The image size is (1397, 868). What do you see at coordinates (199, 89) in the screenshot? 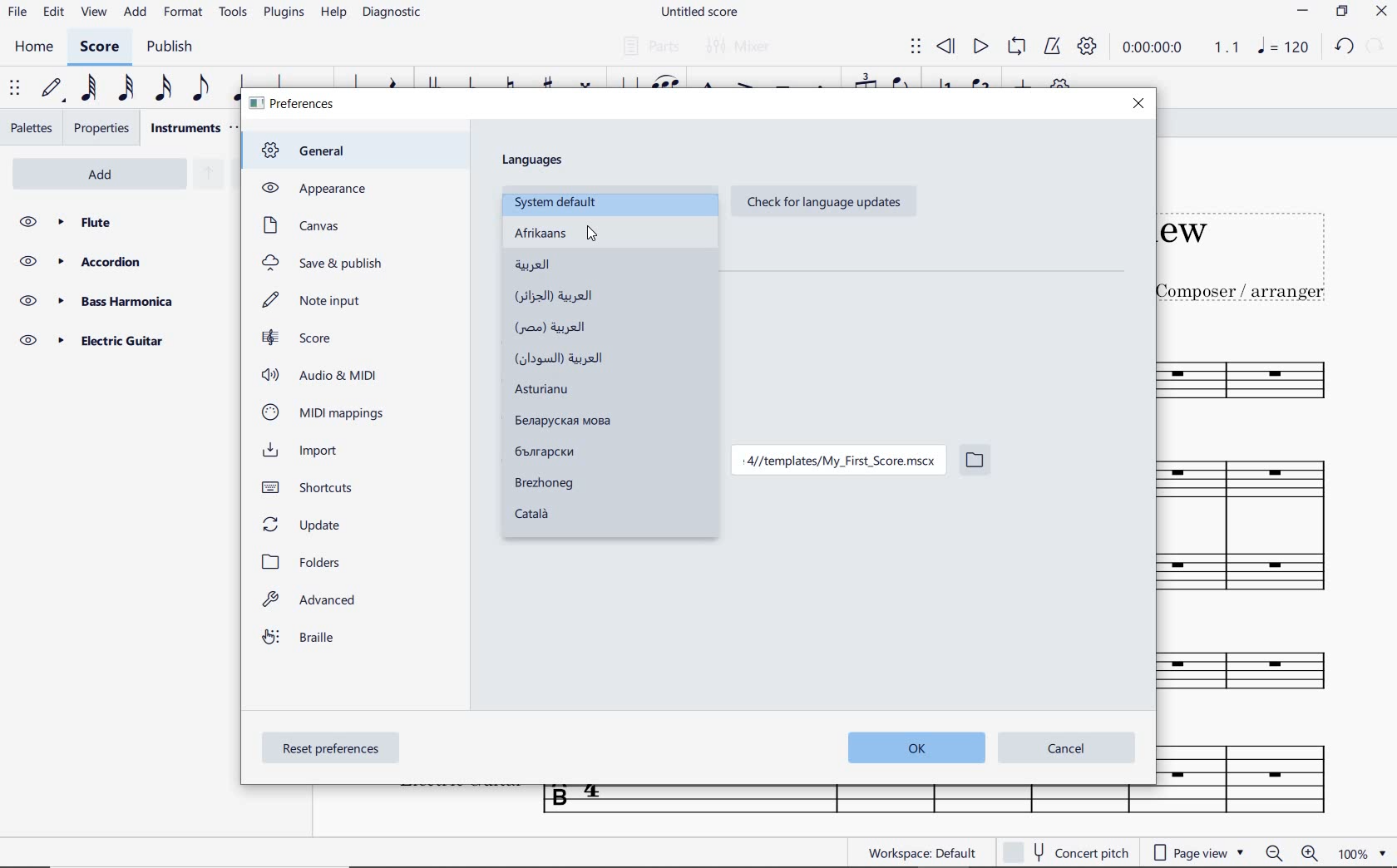
I see `eighth note` at bounding box center [199, 89].